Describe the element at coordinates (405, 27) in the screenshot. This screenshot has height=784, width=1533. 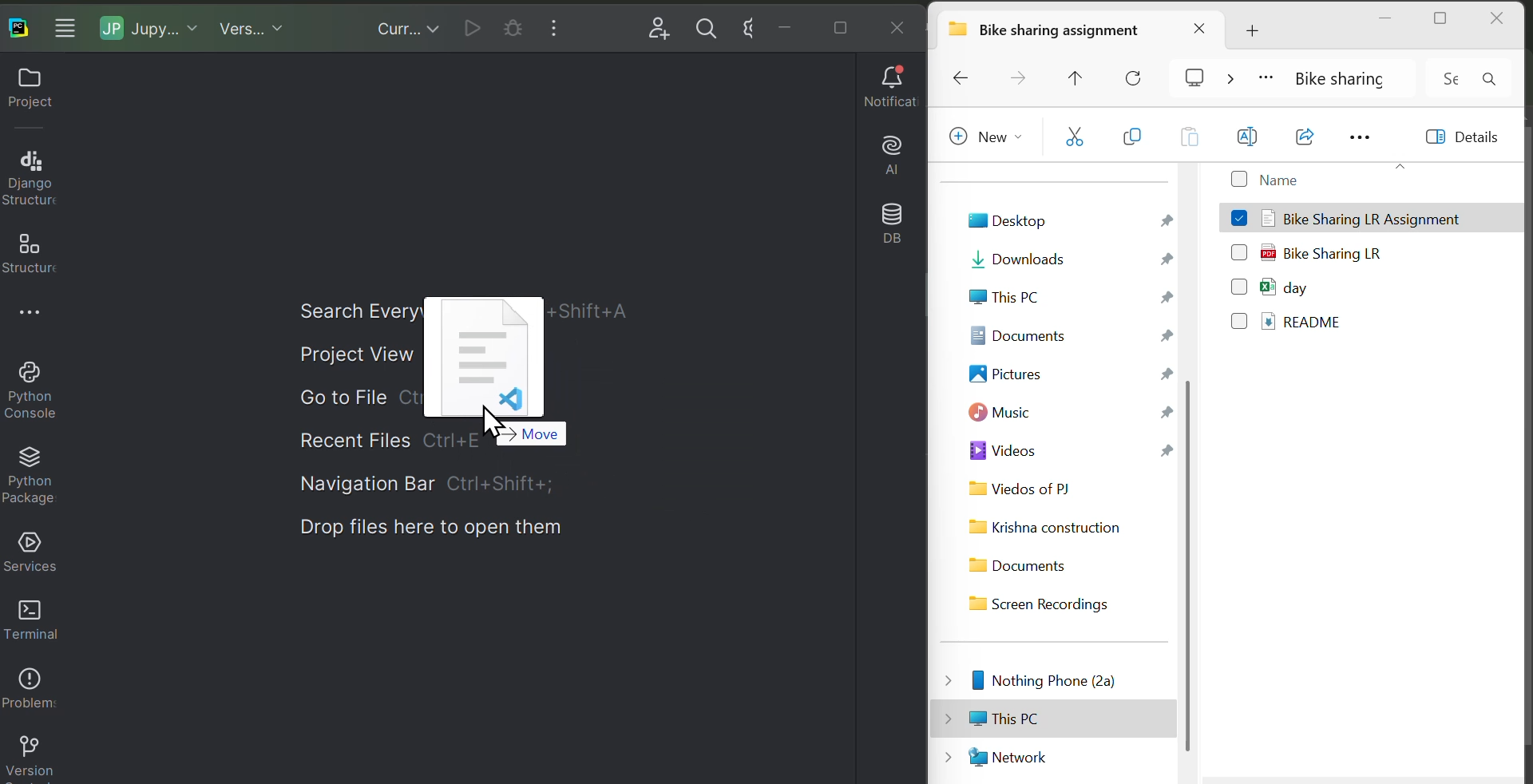
I see `Current files` at that location.